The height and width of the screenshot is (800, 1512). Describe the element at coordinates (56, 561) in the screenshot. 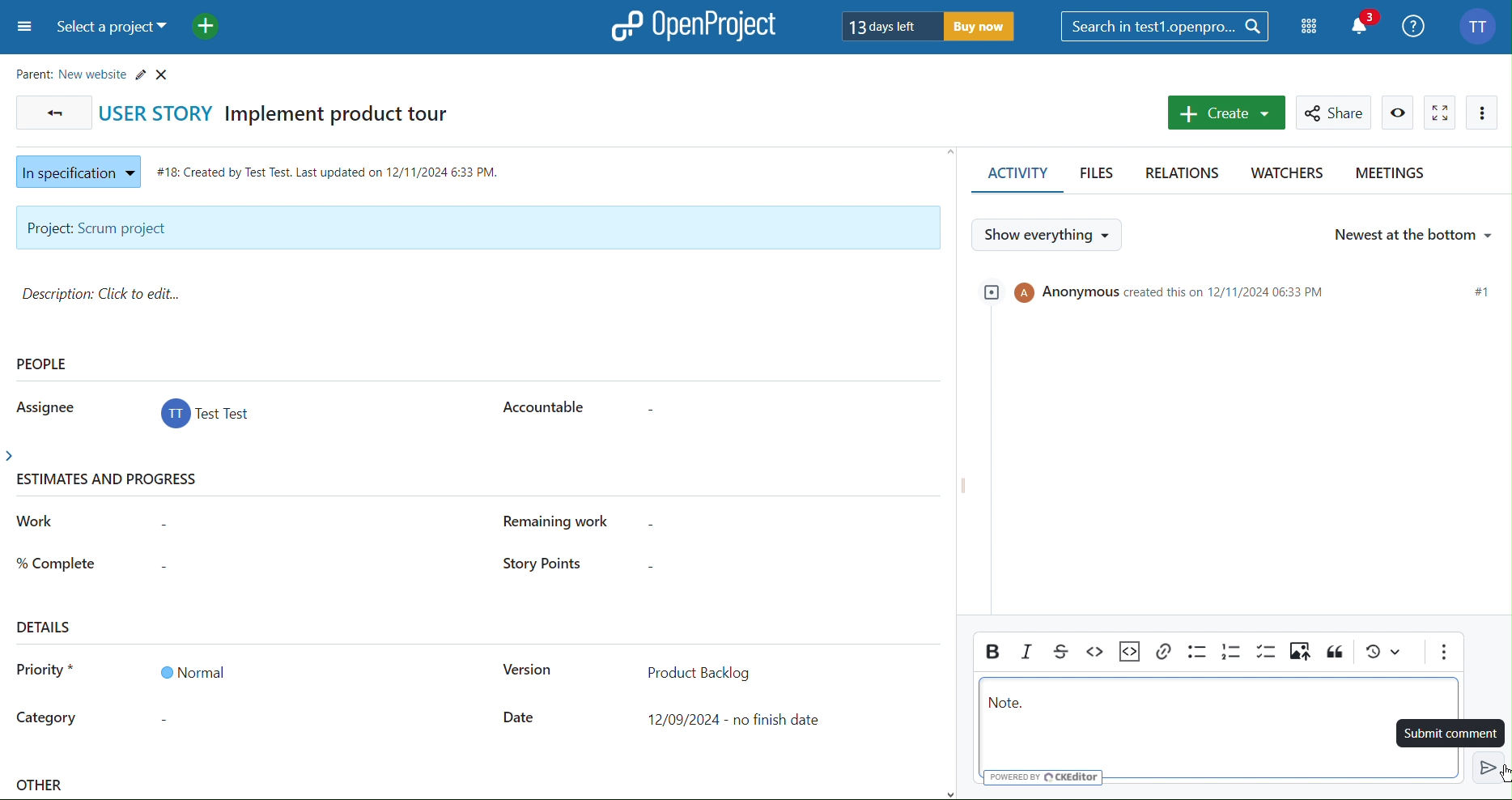

I see `% Complete` at that location.